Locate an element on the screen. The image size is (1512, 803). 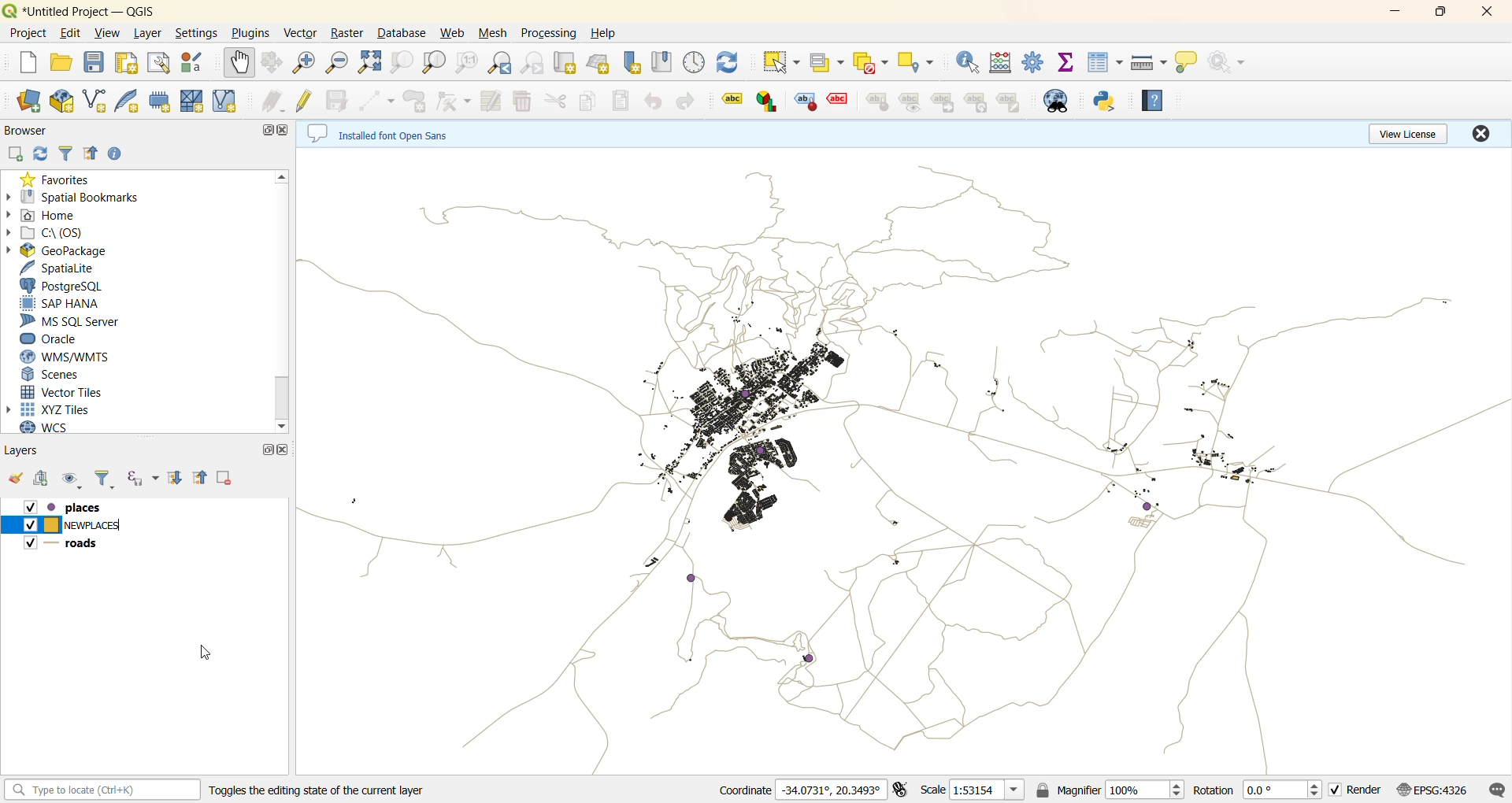
digitize is located at coordinates (380, 100).